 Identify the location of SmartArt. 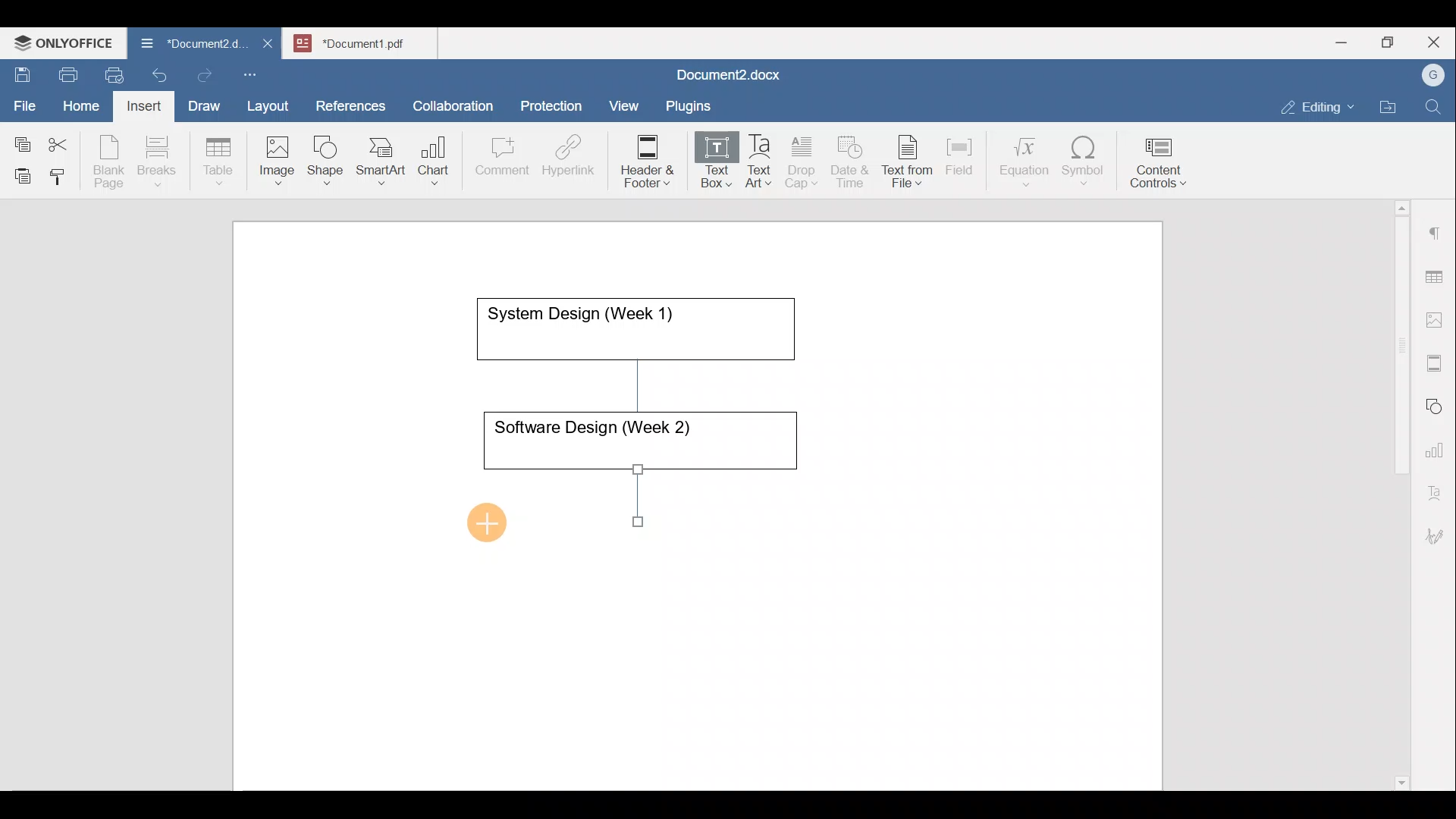
(378, 158).